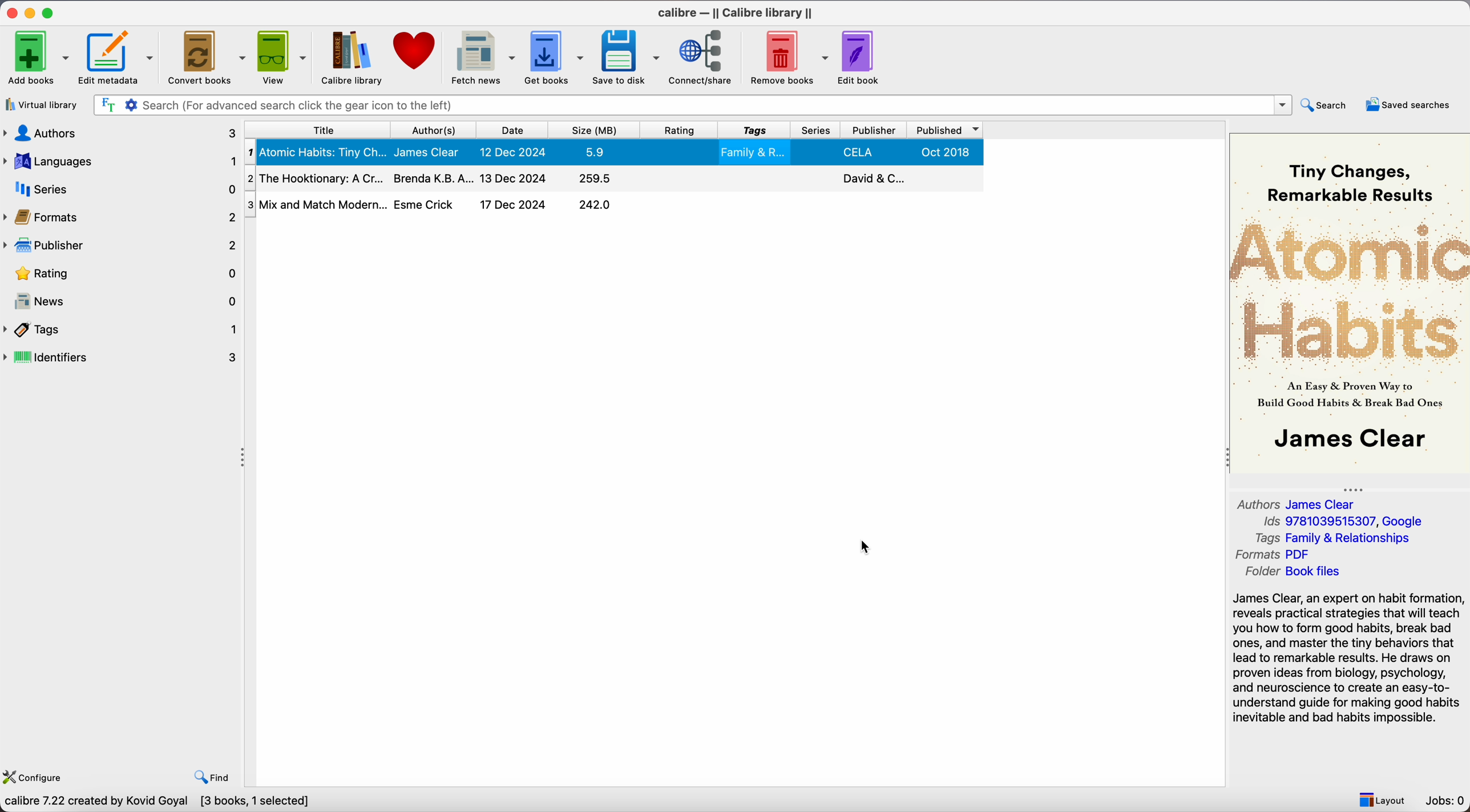 The height and width of the screenshot is (812, 1470). I want to click on rating, so click(122, 274).